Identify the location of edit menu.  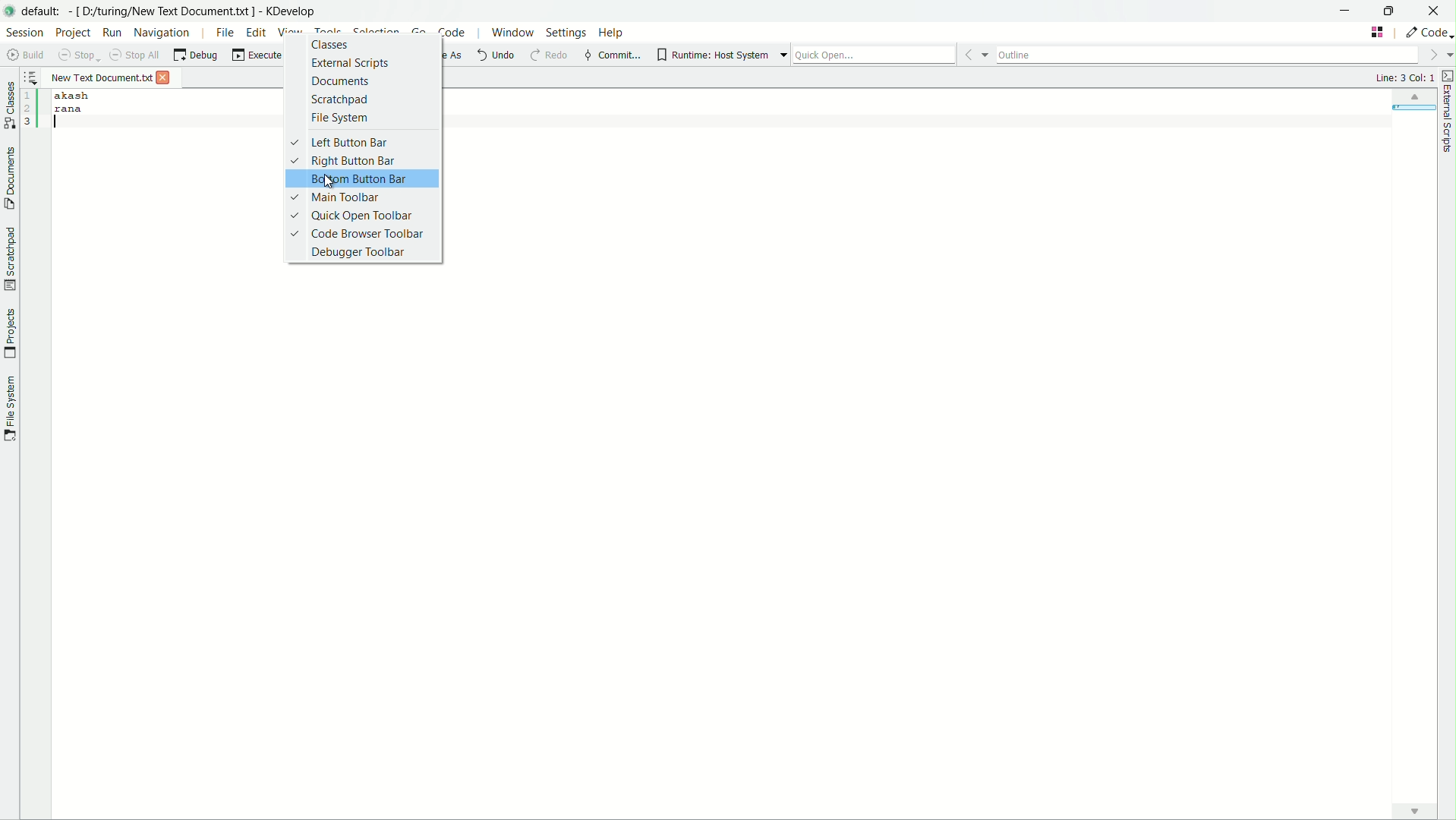
(257, 33).